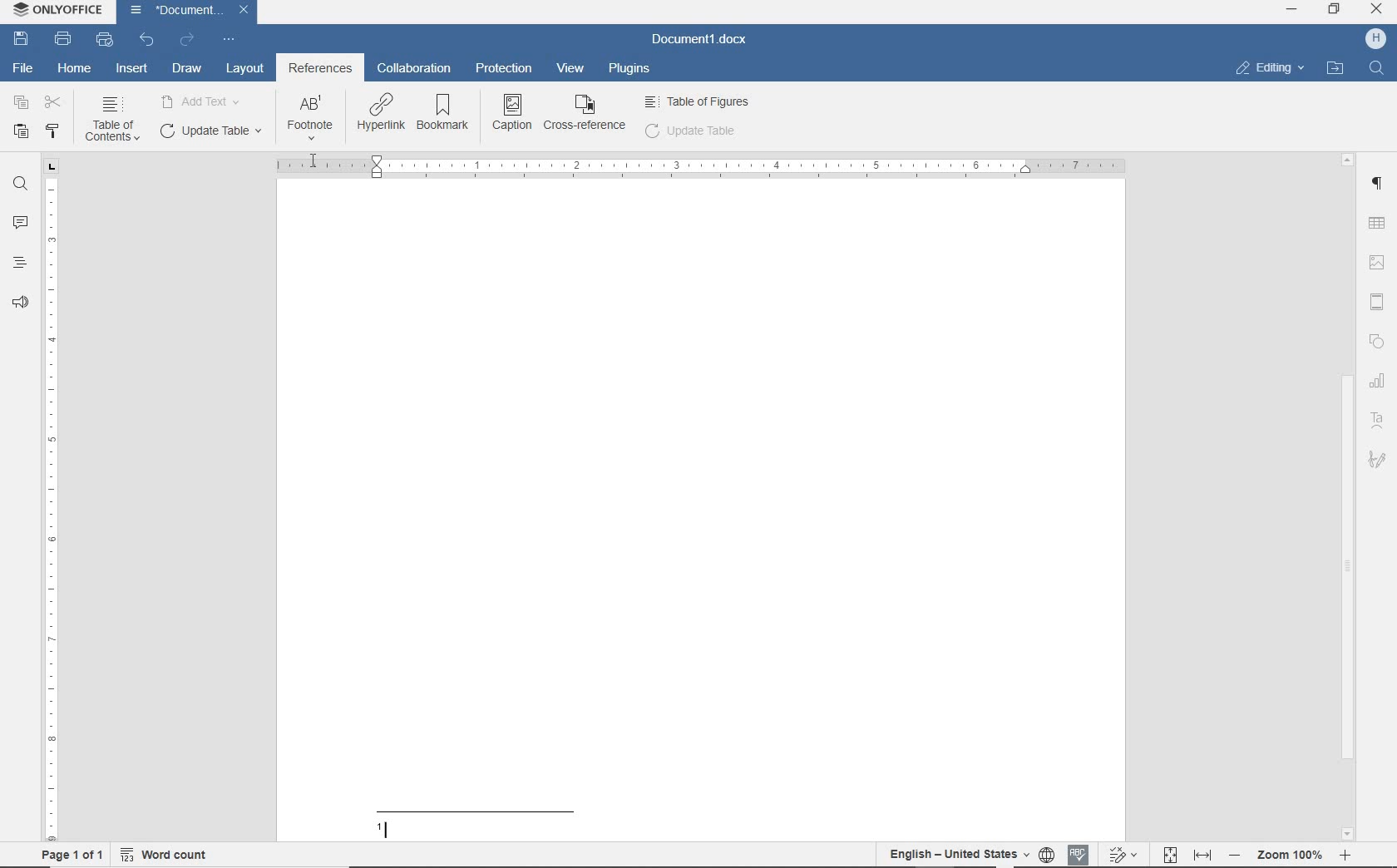 The width and height of the screenshot is (1397, 868). I want to click on protection, so click(506, 70).